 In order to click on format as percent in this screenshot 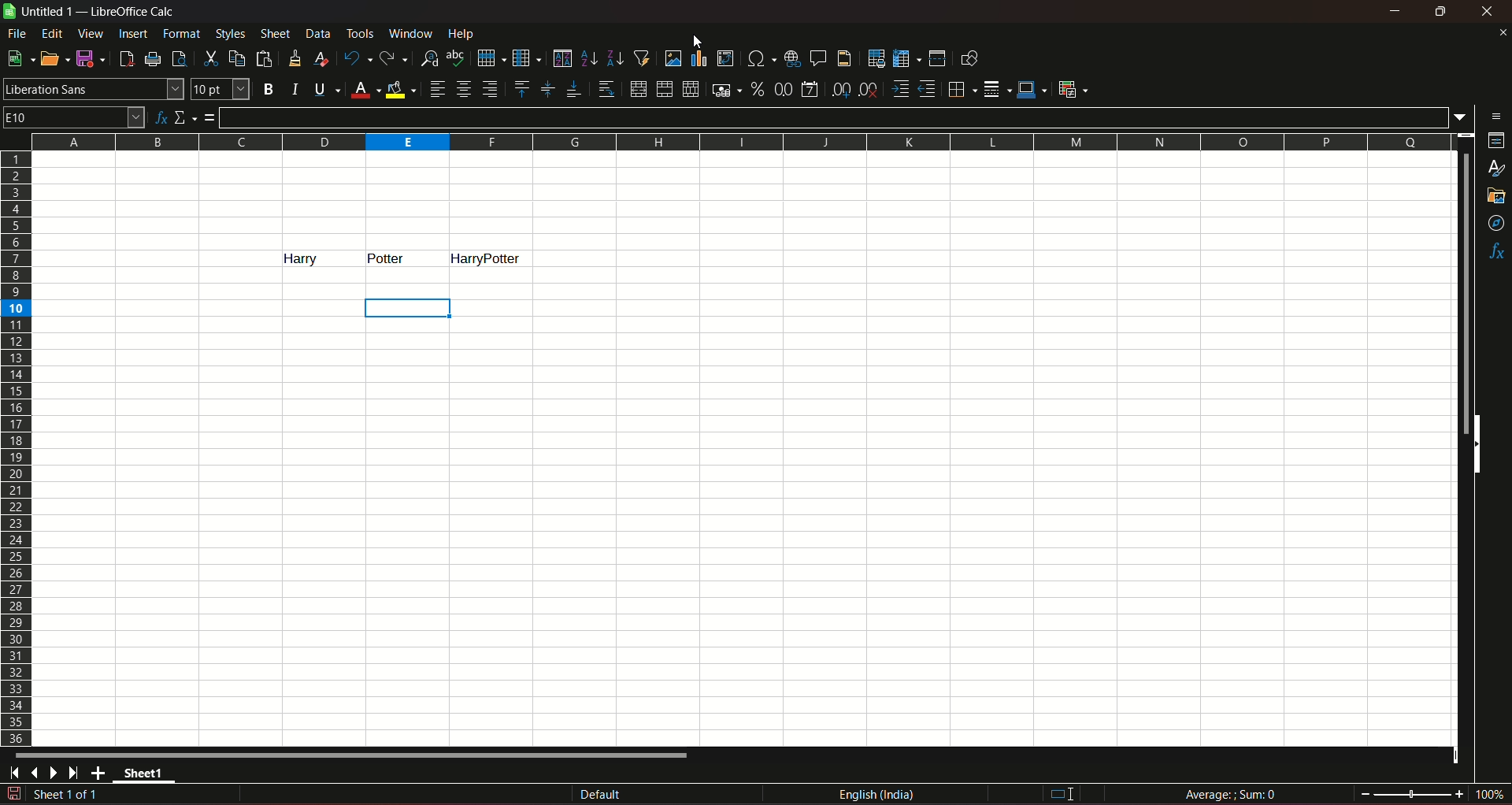, I will do `click(757, 88)`.